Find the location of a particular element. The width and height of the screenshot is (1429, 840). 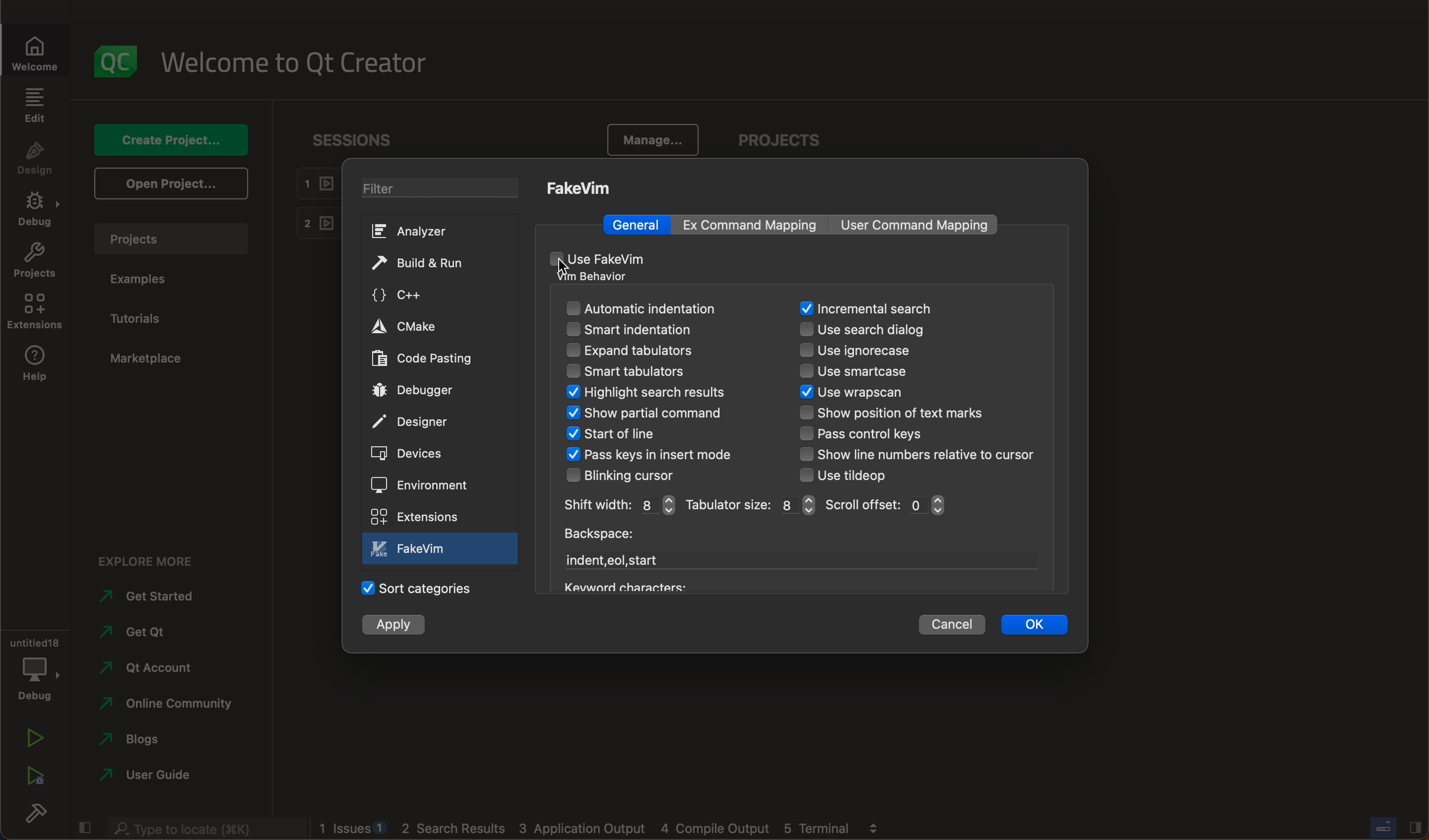

size is located at coordinates (750, 505).